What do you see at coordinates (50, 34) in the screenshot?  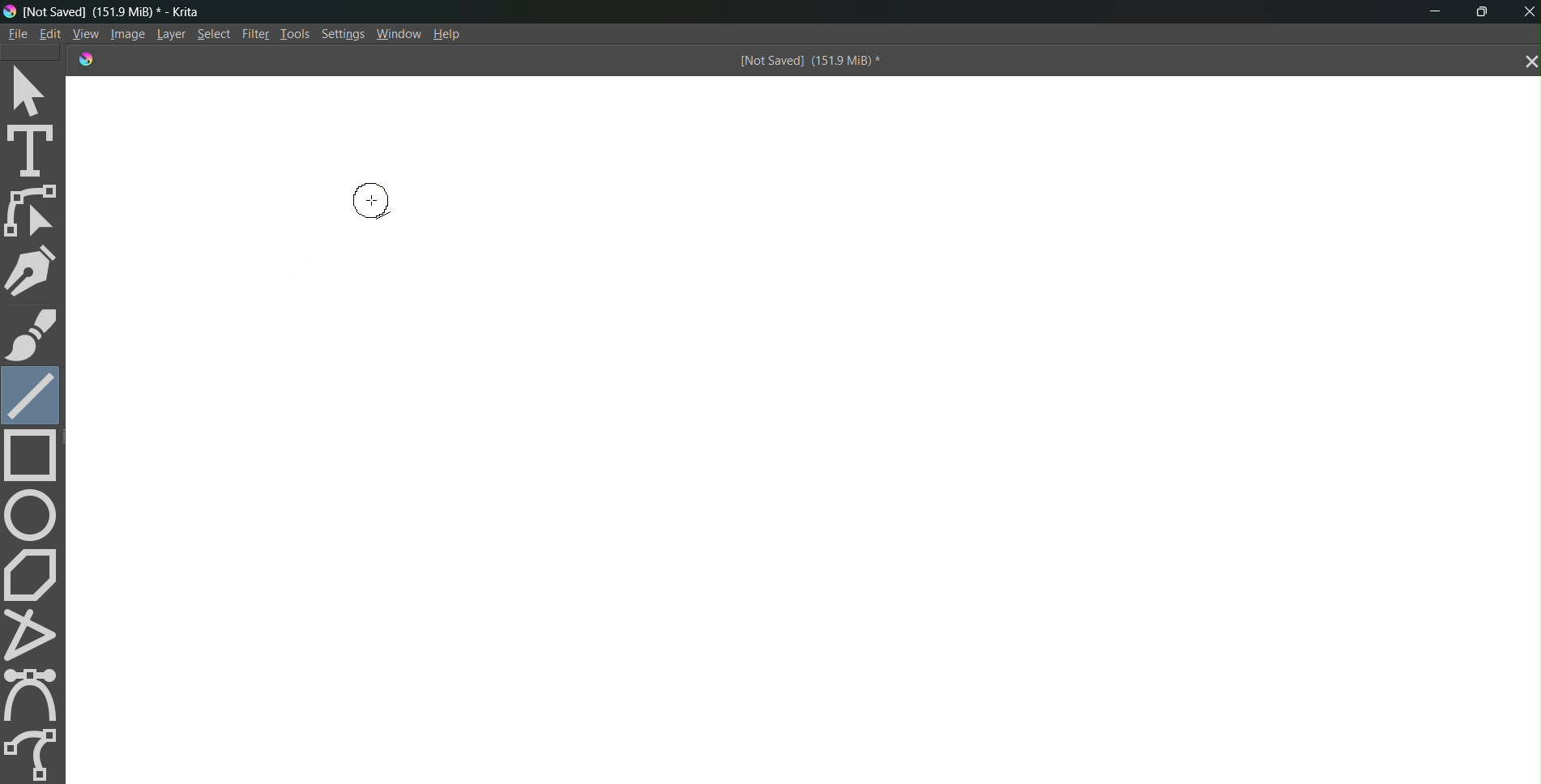 I see `Edit` at bounding box center [50, 34].